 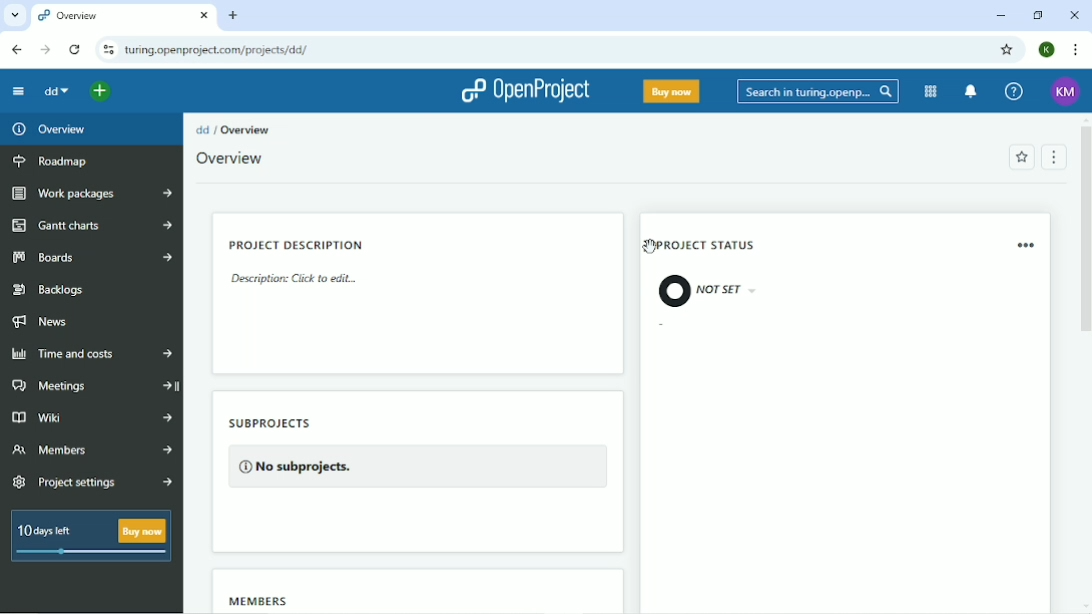 What do you see at coordinates (1048, 50) in the screenshot?
I see `Account` at bounding box center [1048, 50].